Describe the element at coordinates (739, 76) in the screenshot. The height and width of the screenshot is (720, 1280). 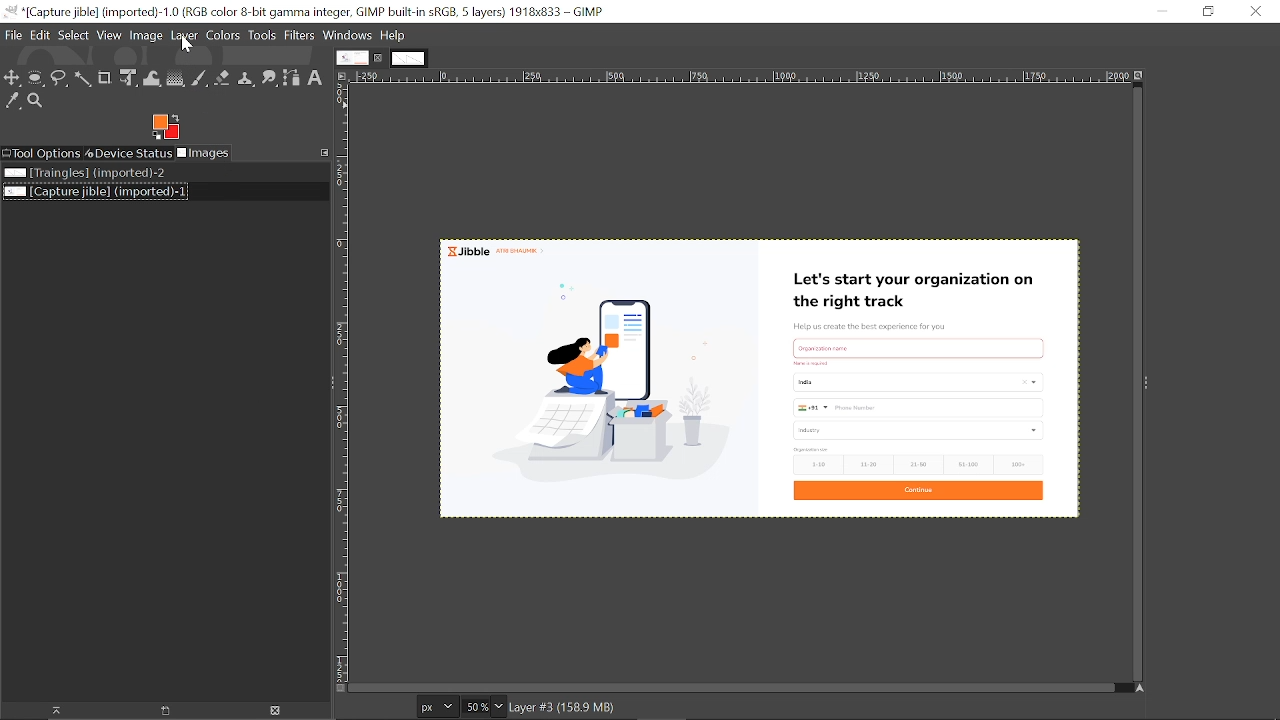
I see `Horizontal labe` at that location.